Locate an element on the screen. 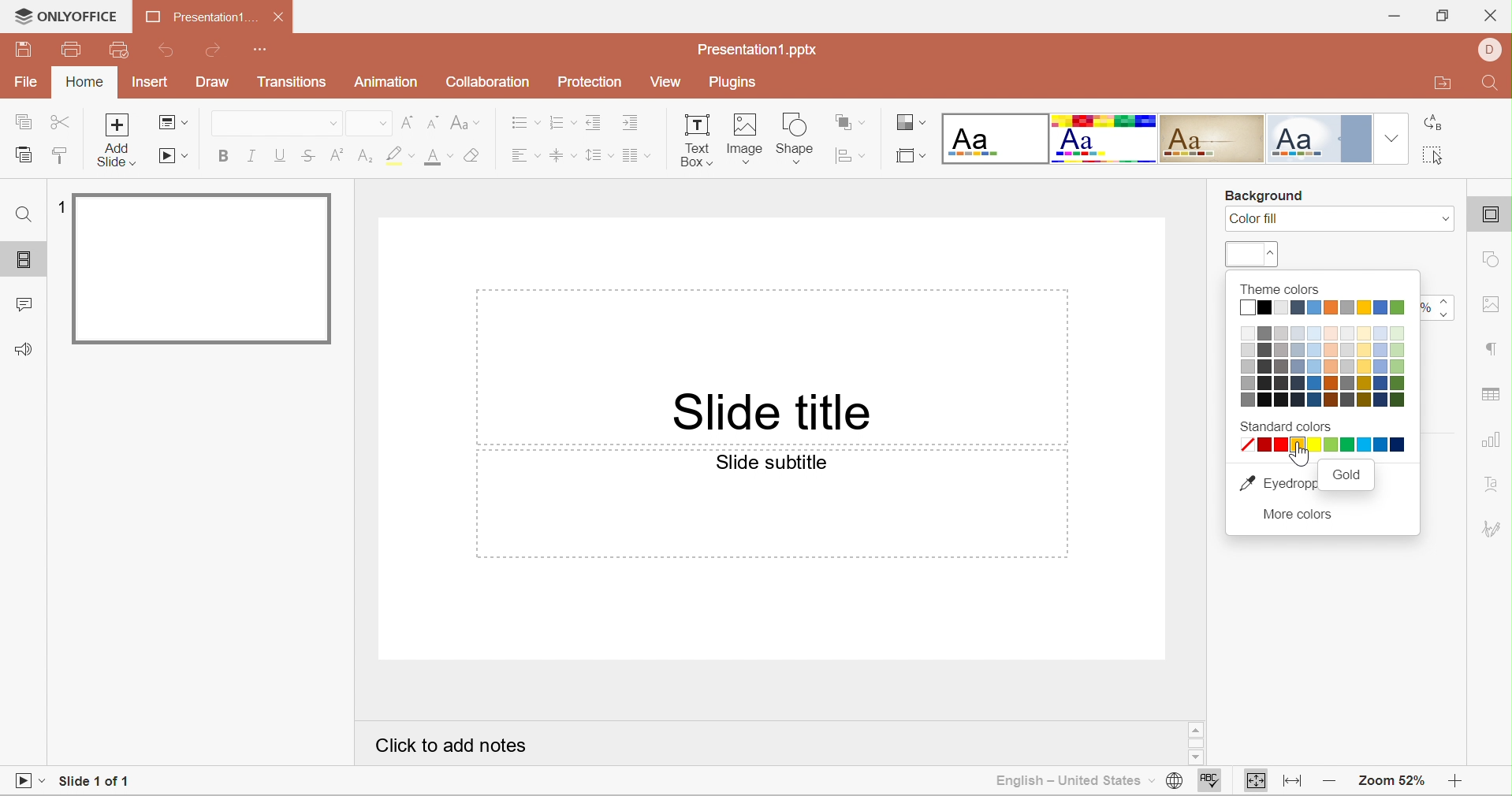  Background is located at coordinates (1266, 197).